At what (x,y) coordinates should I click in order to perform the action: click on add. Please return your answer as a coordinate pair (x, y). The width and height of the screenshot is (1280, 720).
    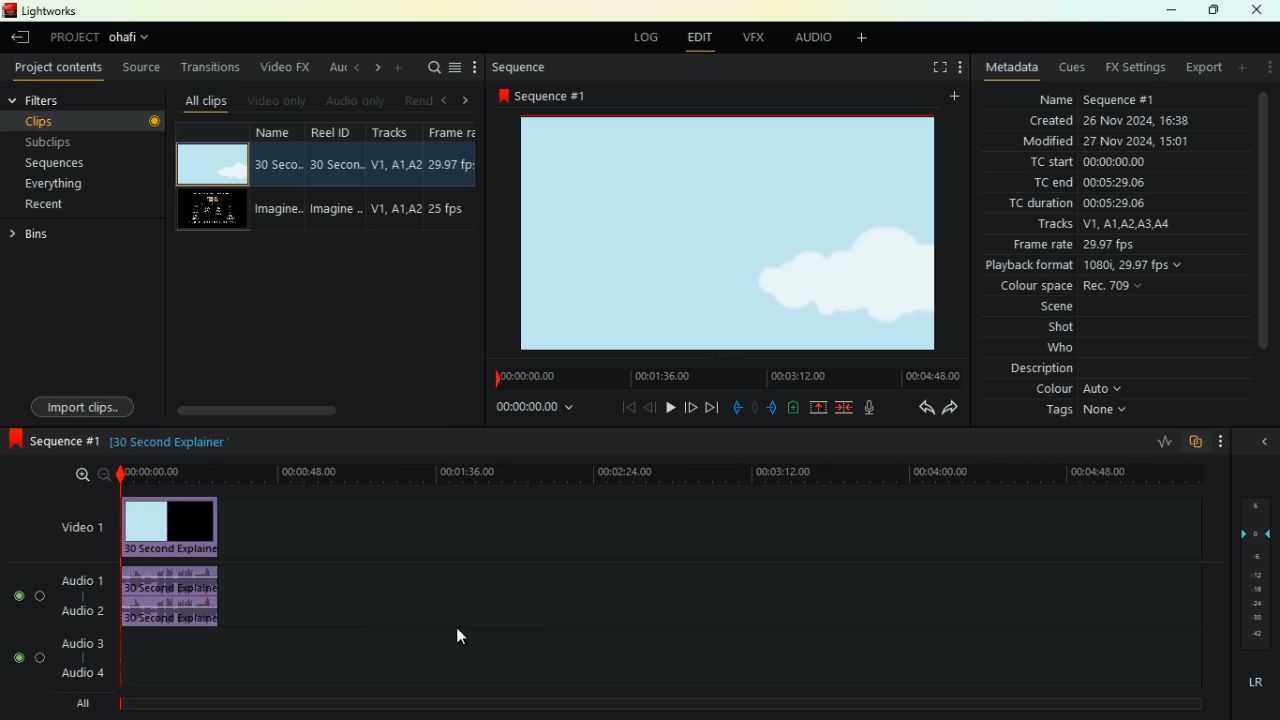
    Looking at the image, I should click on (866, 41).